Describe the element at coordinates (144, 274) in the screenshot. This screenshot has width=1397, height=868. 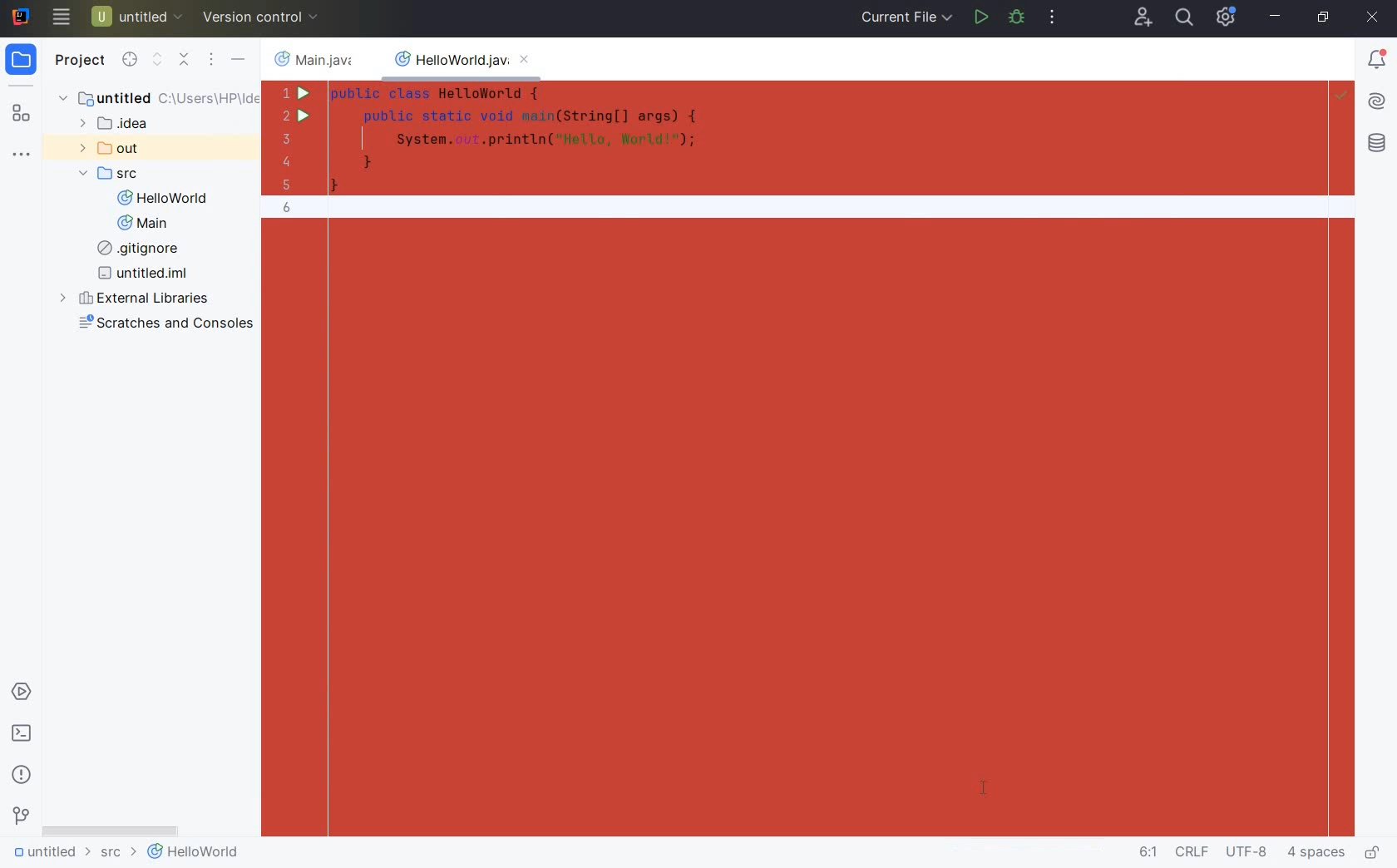
I see `untitled` at that location.